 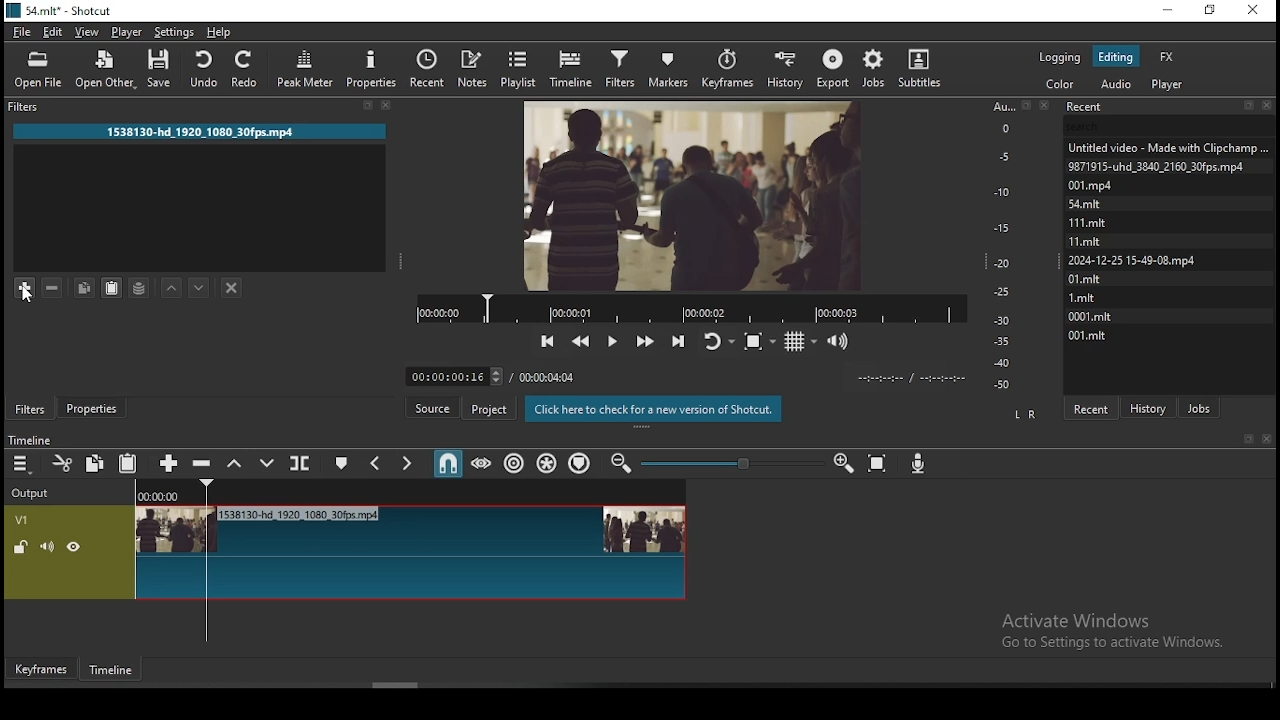 I want to click on logging, so click(x=1061, y=57).